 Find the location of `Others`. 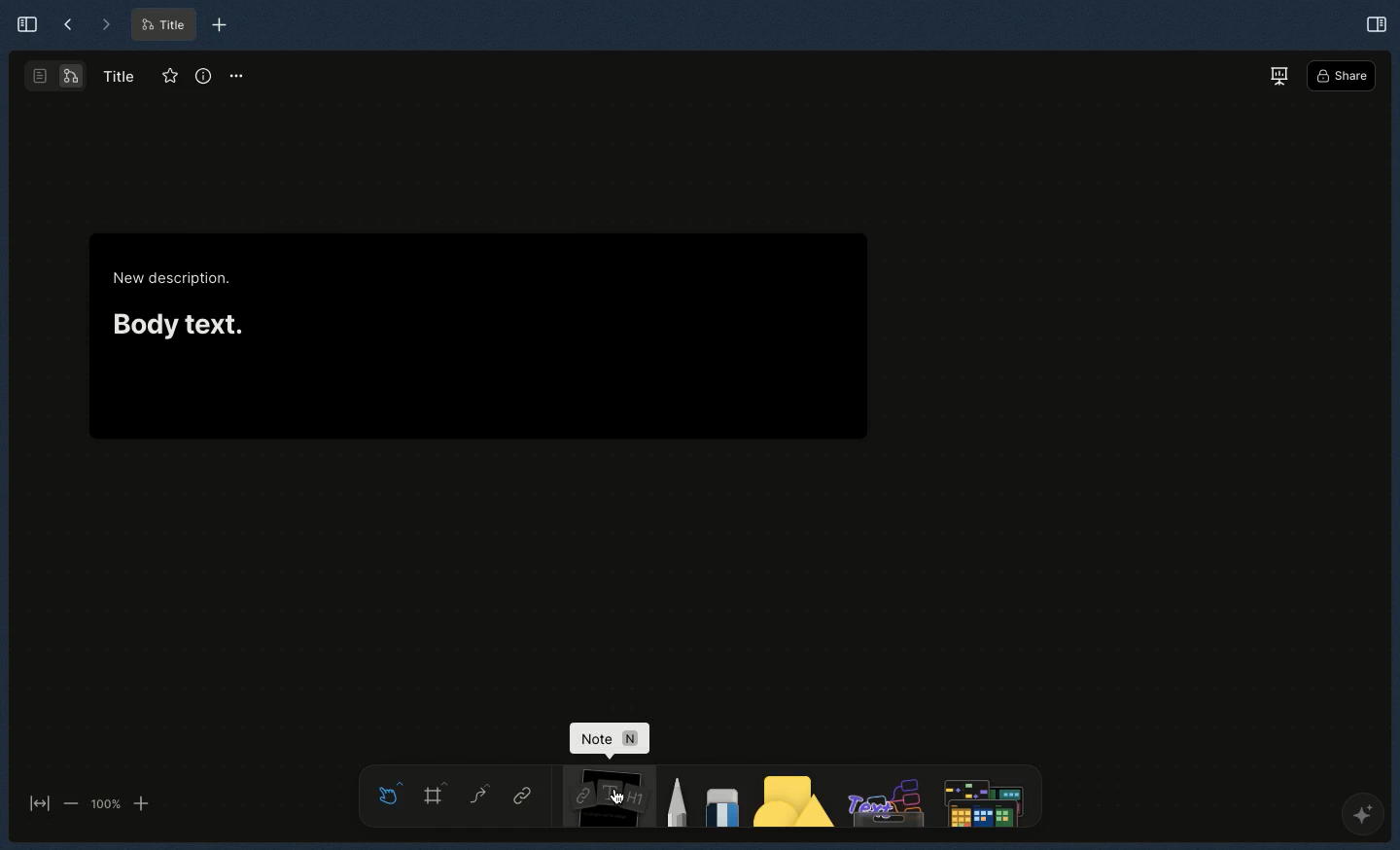

Others is located at coordinates (884, 797).